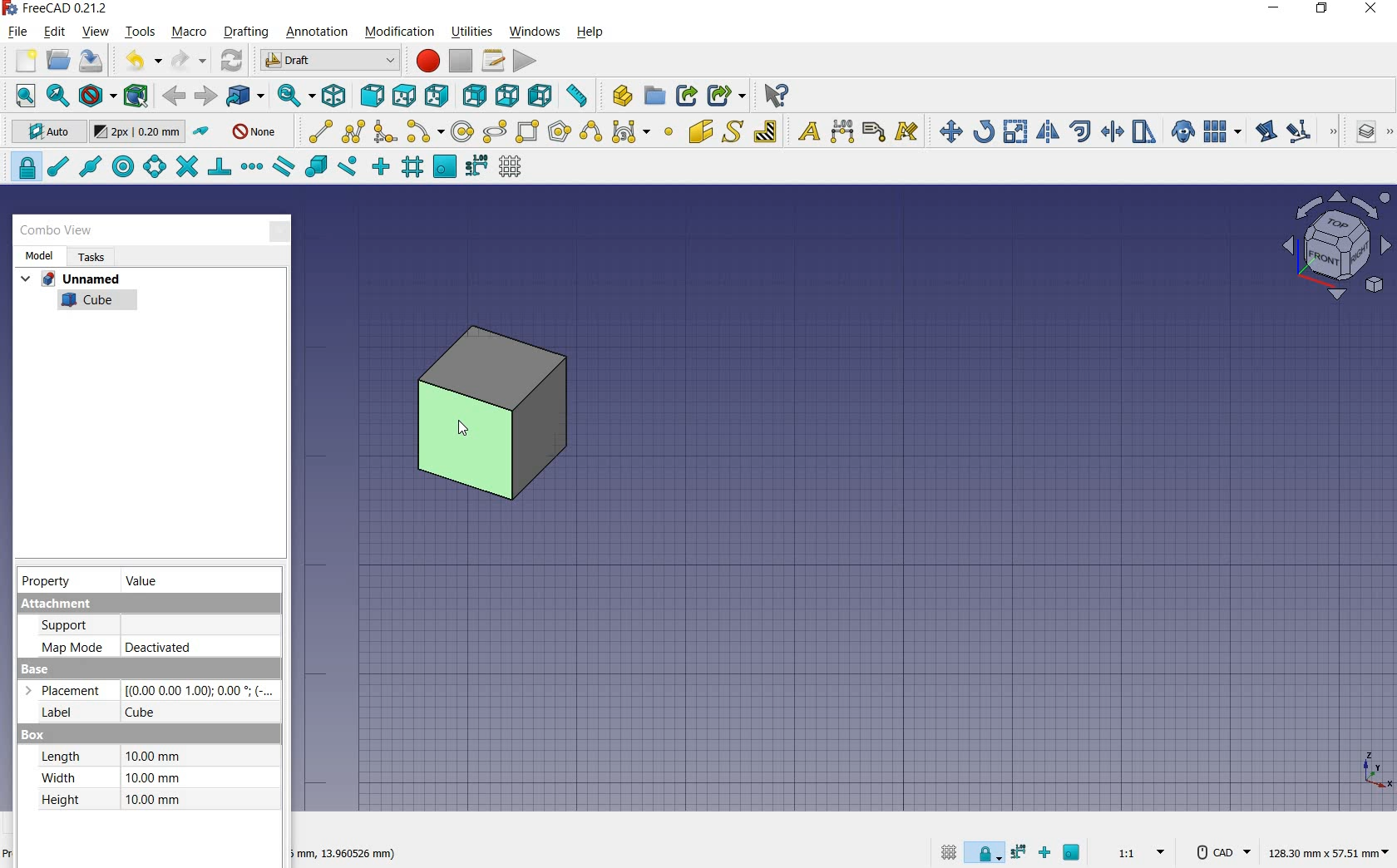 This screenshot has height=868, width=1397. I want to click on undo, so click(137, 60).